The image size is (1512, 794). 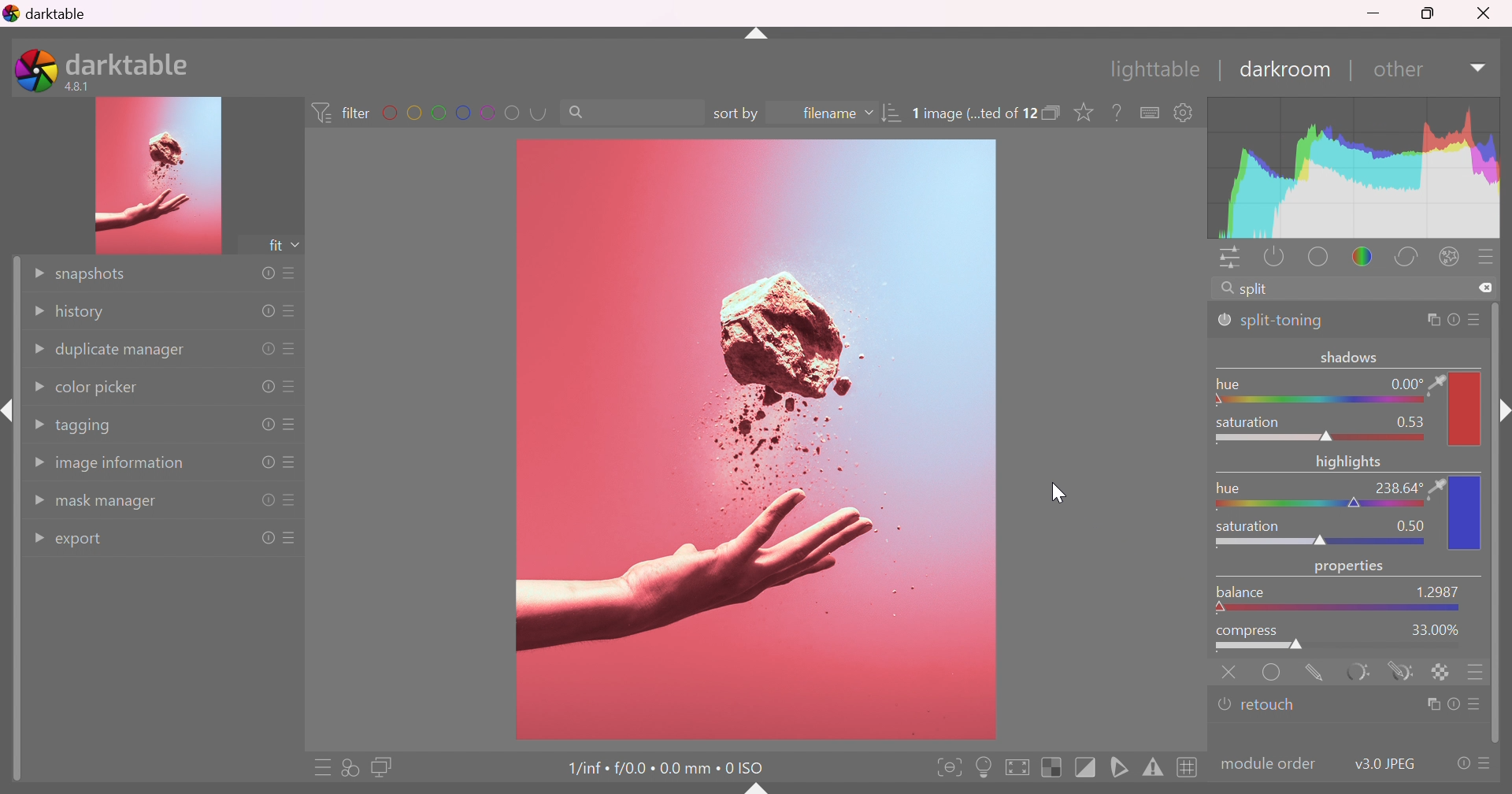 I want to click on 1/inf • f/0.0 • 0.0 mm • 0 ISO, so click(x=656, y=769).